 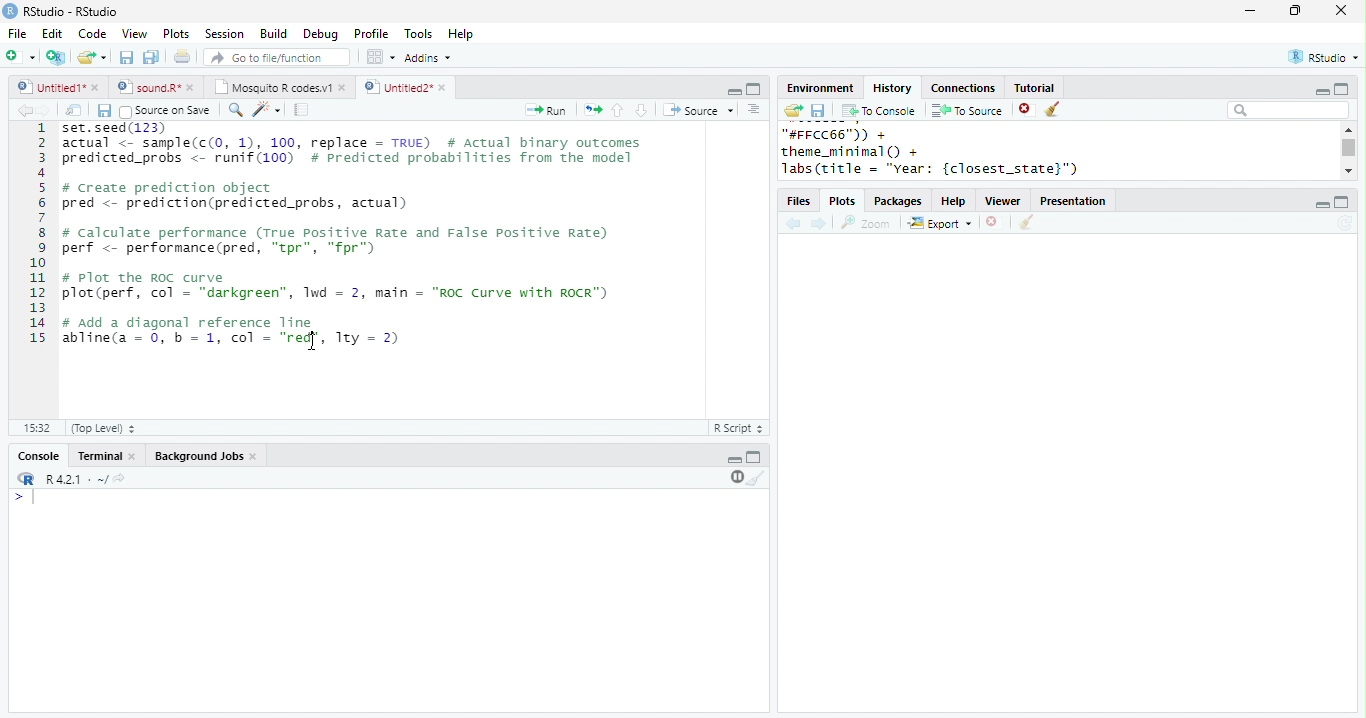 I want to click on # calculate performance (True Positive Rate and False Positive Rate)
perf <- performance(pred, “tpr", “fpr"), so click(x=336, y=240).